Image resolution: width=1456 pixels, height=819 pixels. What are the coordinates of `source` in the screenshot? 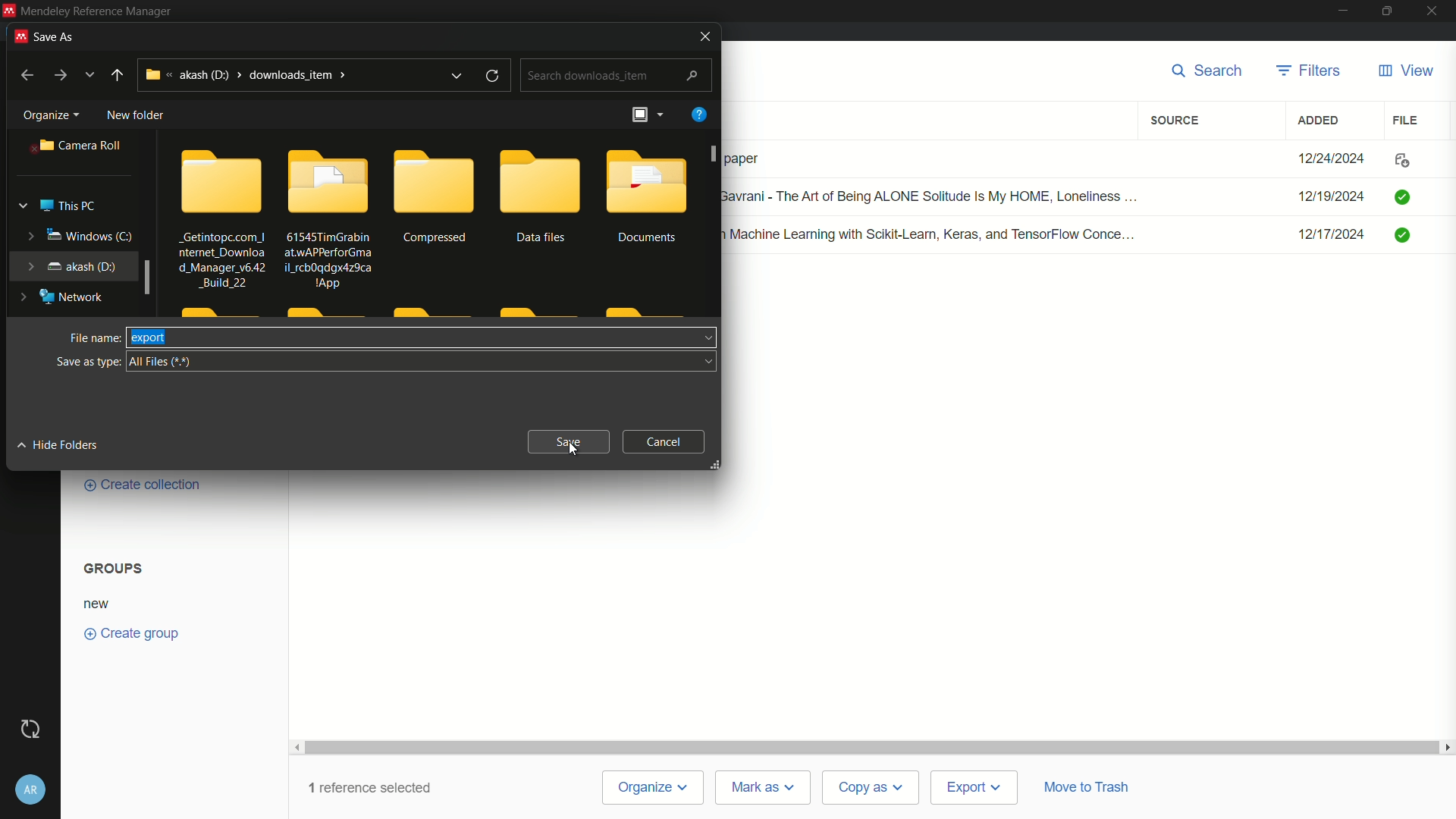 It's located at (1177, 121).